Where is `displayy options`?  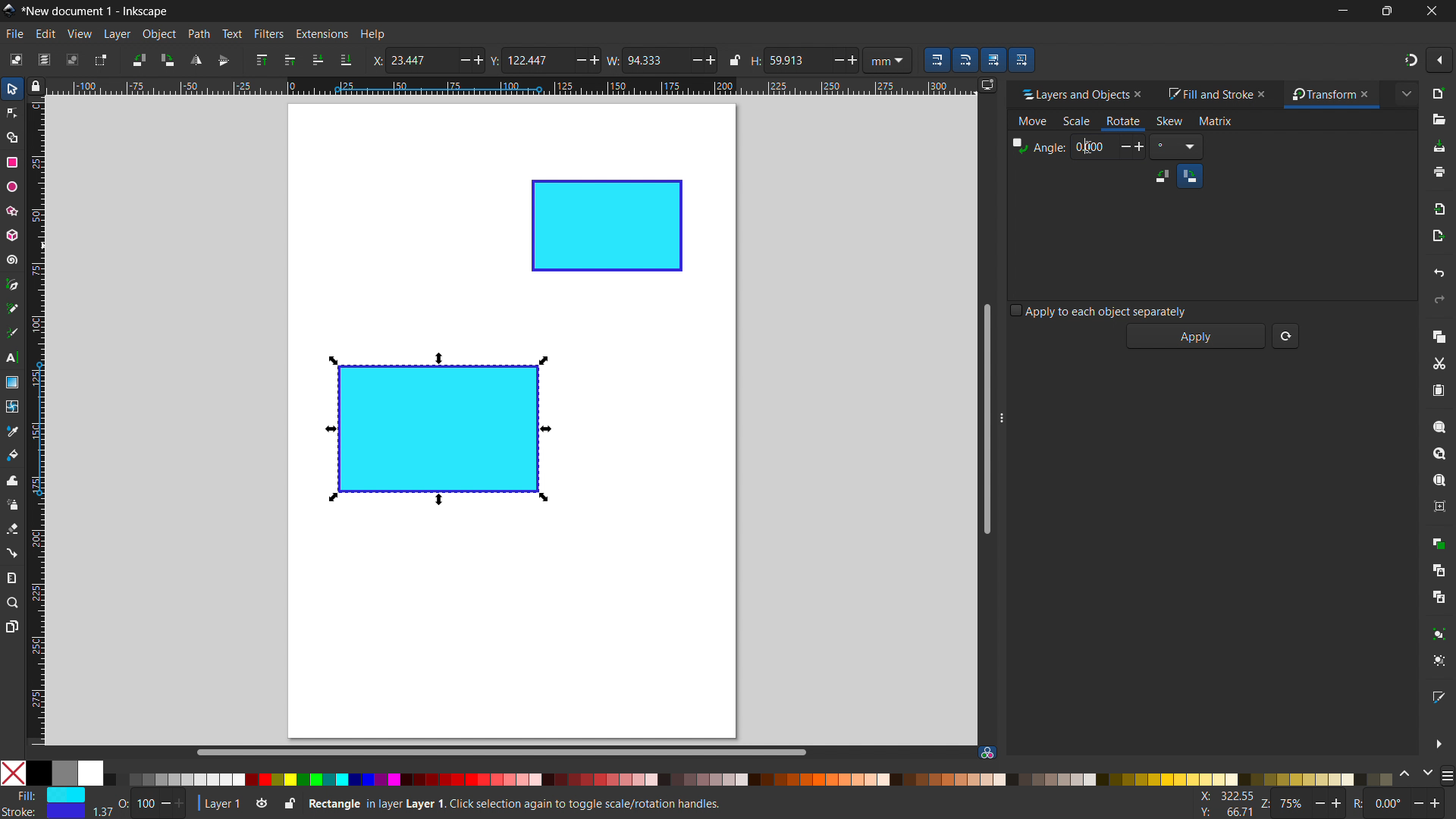 displayy options is located at coordinates (987, 85).